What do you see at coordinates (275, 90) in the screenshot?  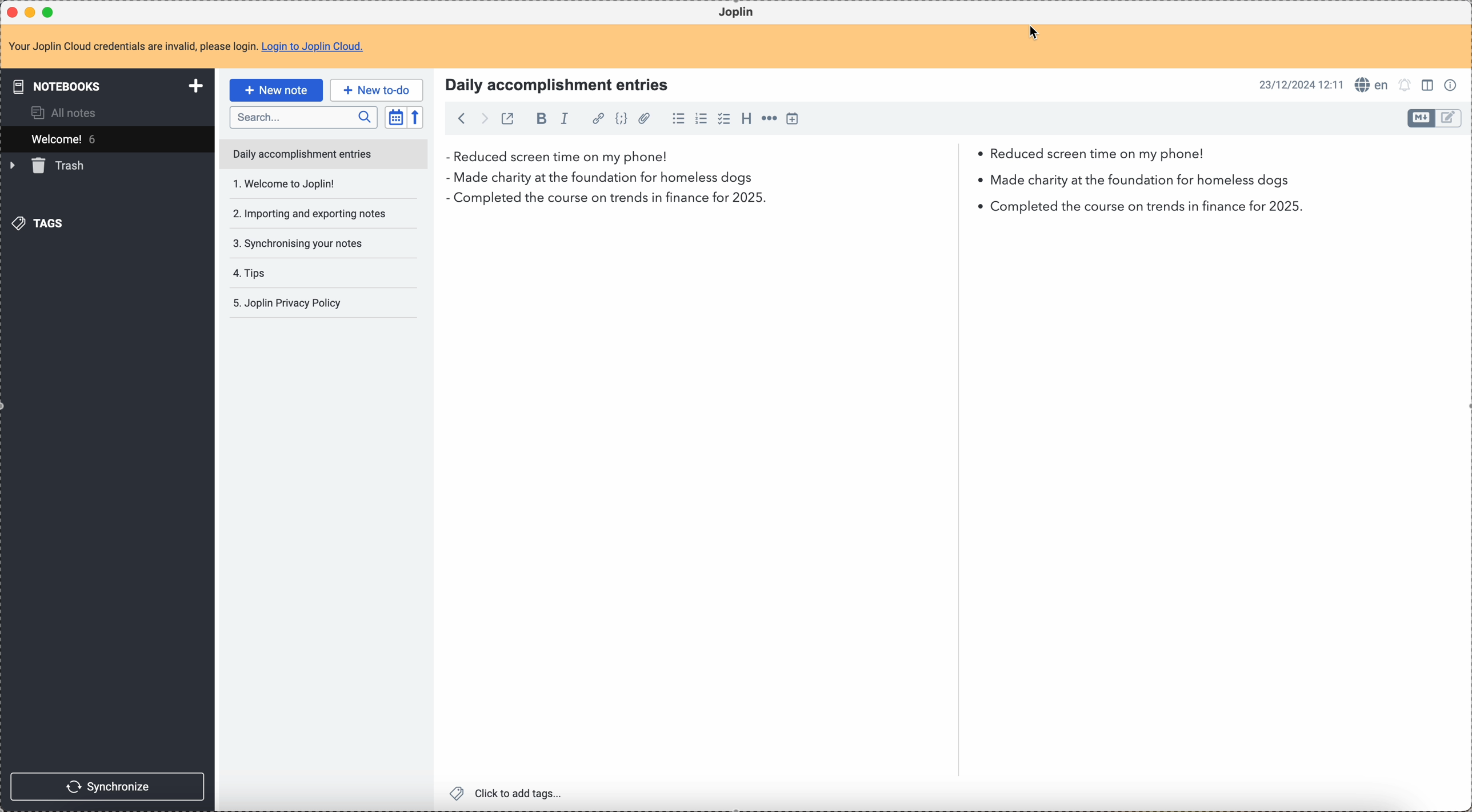 I see `click on new note` at bounding box center [275, 90].